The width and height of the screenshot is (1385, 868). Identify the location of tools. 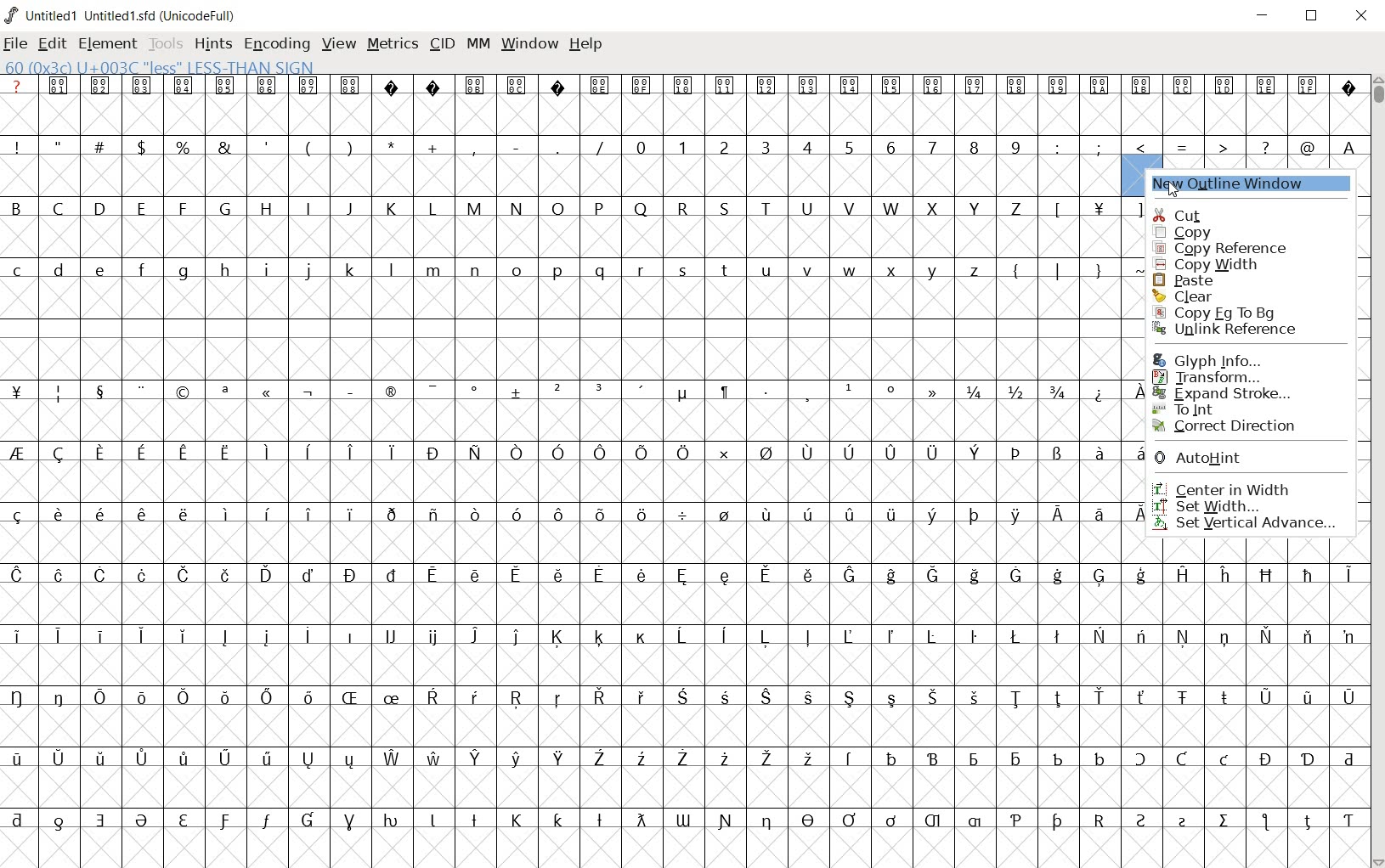
(166, 42).